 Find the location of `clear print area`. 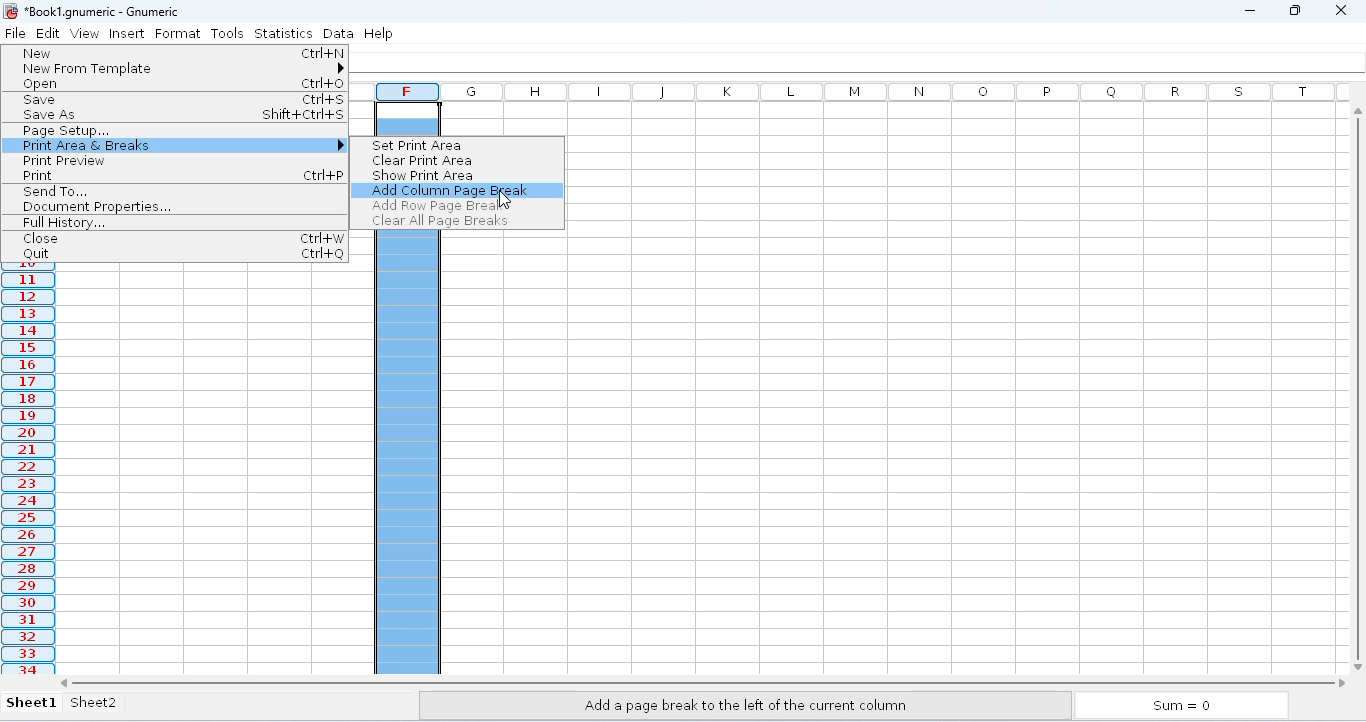

clear print area is located at coordinates (420, 160).